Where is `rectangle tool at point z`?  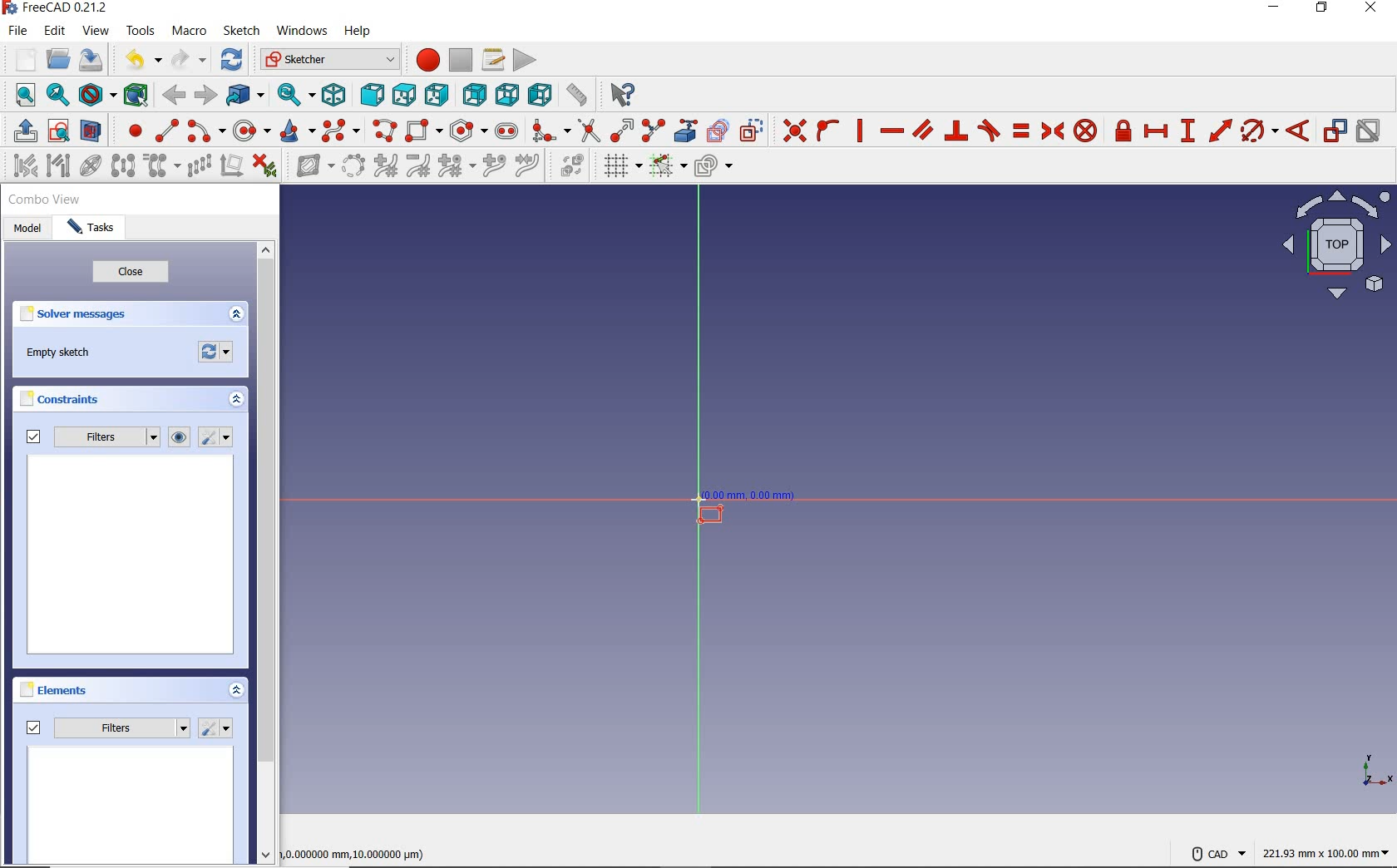
rectangle tool at point z is located at coordinates (739, 508).